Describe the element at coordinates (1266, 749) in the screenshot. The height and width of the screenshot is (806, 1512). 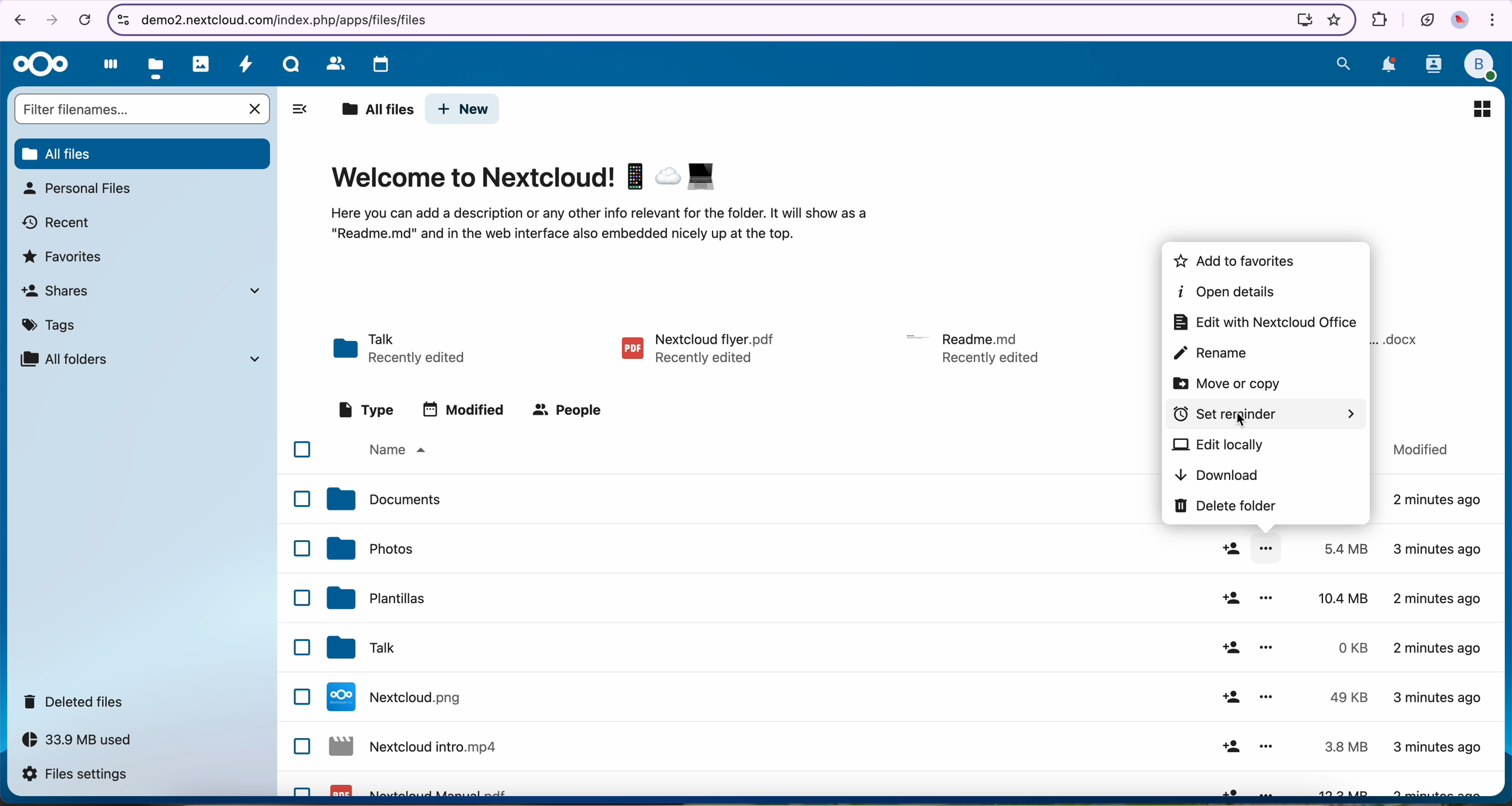
I see `more options` at that location.